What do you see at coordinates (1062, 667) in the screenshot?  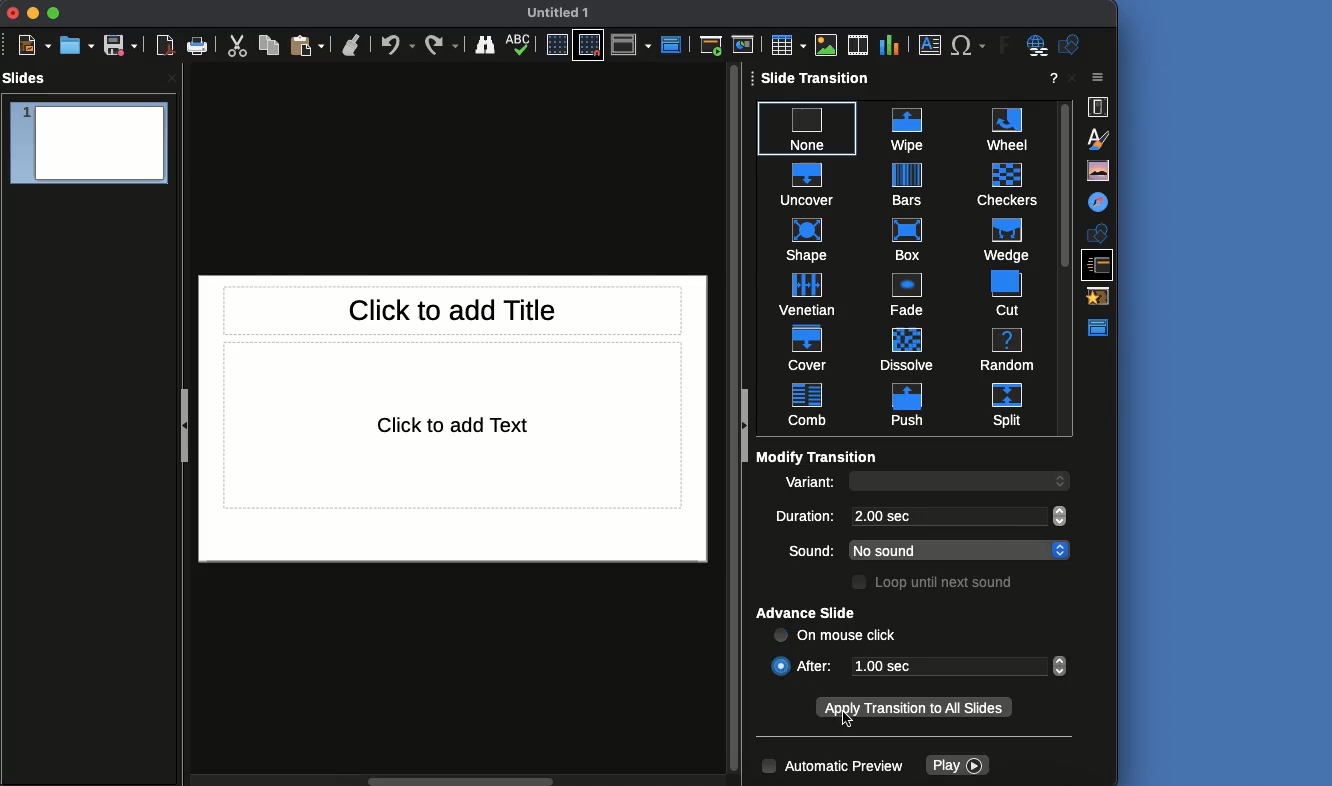 I see `scroll` at bounding box center [1062, 667].